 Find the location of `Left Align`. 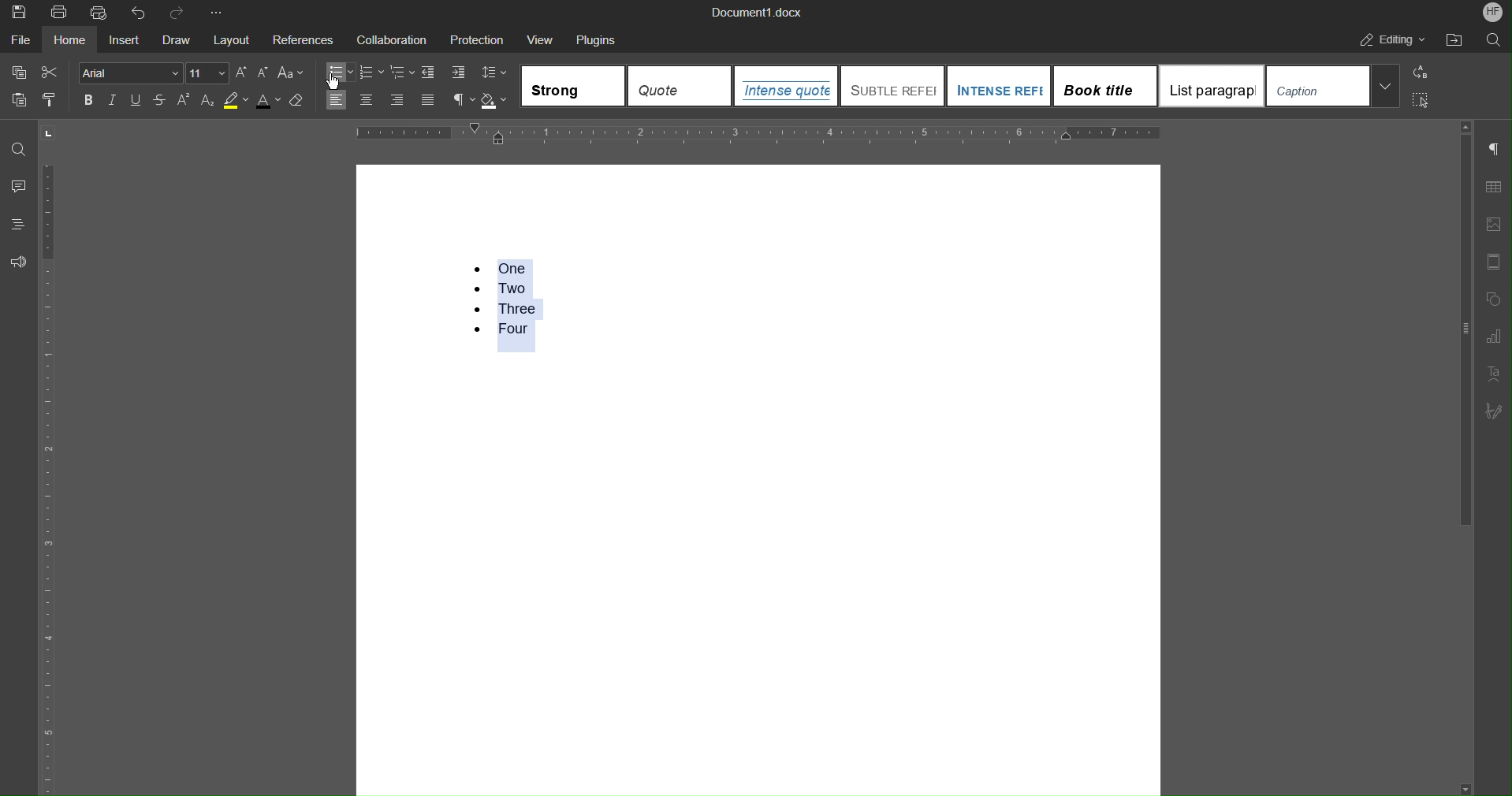

Left Align is located at coordinates (333, 100).